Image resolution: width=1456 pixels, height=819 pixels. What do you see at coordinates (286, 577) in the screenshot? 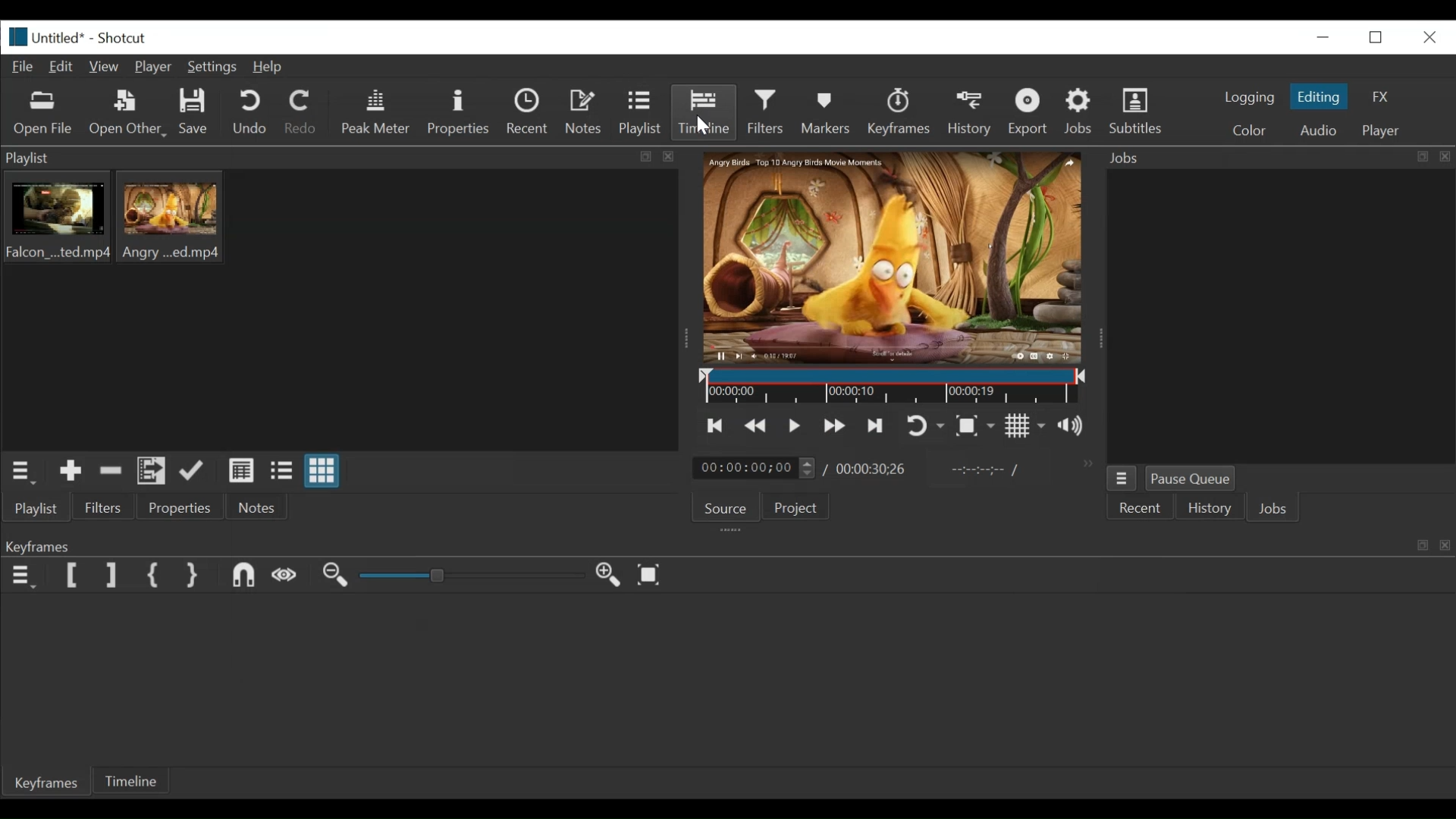
I see `Scrub while dragging` at bounding box center [286, 577].